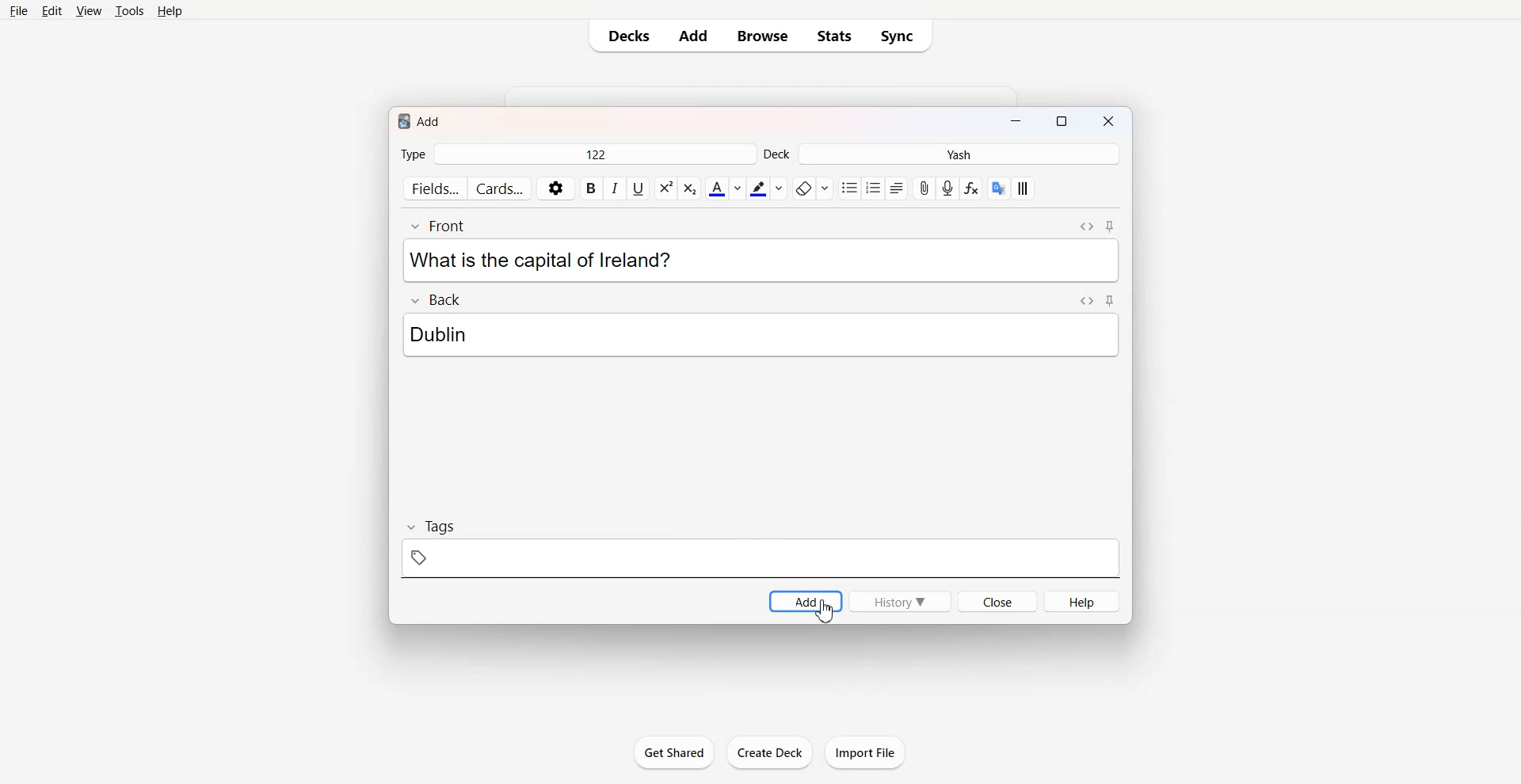 The height and width of the screenshot is (784, 1521). Describe the element at coordinates (1015, 123) in the screenshot. I see `Minimize` at that location.